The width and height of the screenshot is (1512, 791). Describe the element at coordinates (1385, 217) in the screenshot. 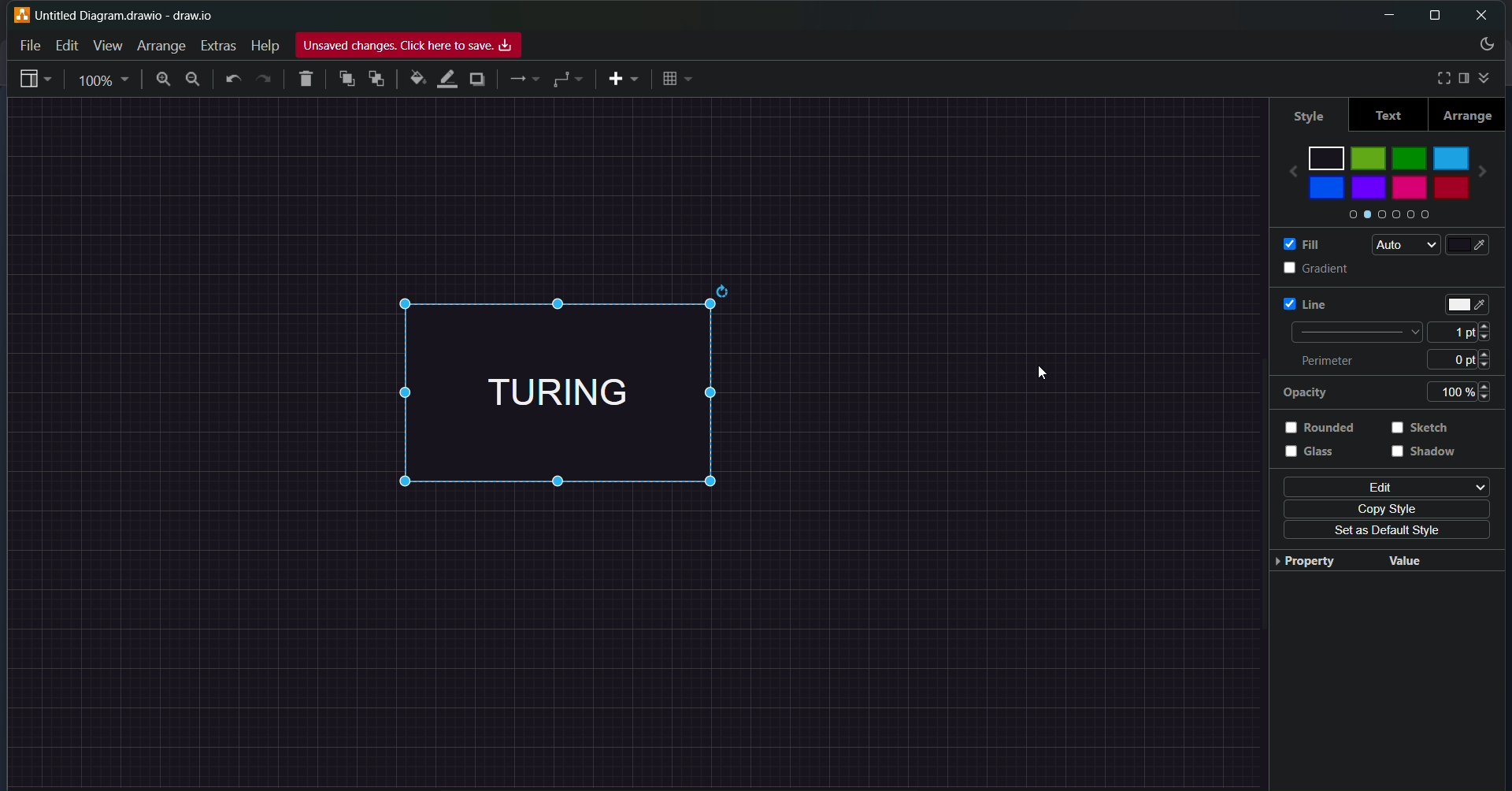

I see `color palletes` at that location.